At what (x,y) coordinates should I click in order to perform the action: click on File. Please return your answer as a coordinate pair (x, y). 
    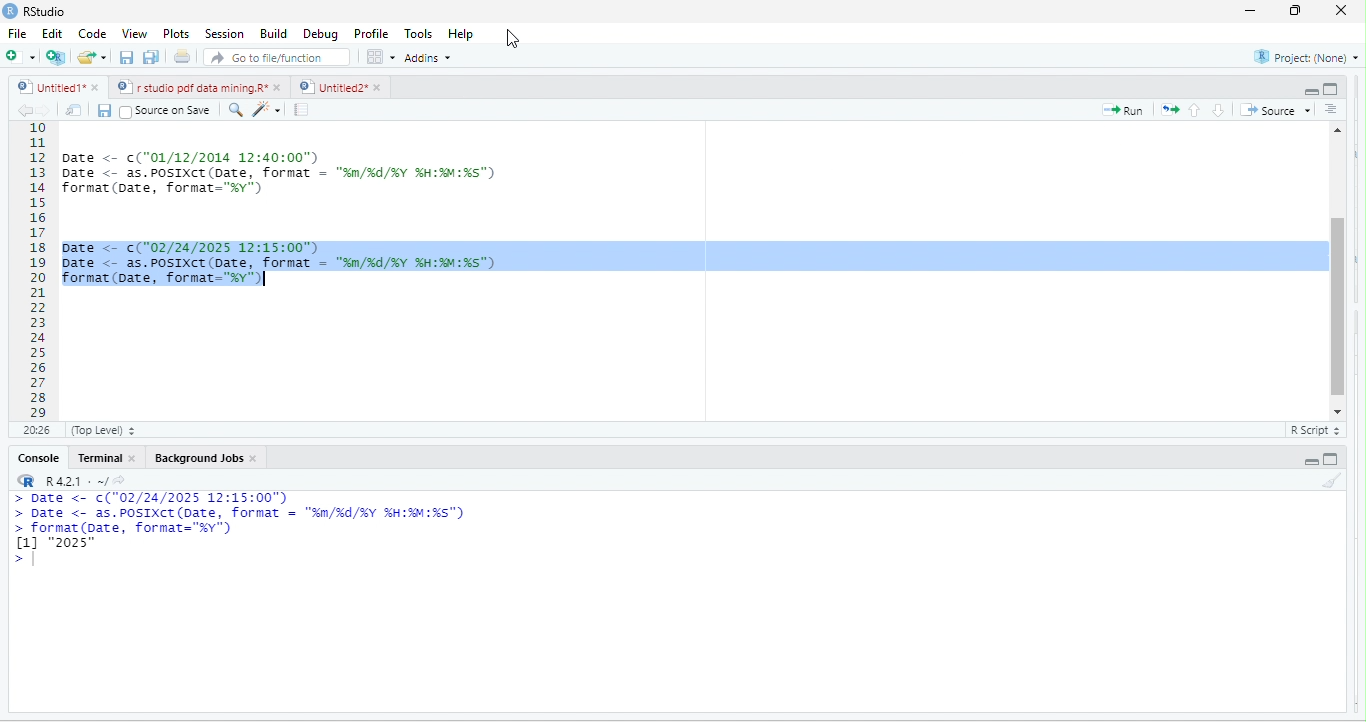
    Looking at the image, I should click on (16, 35).